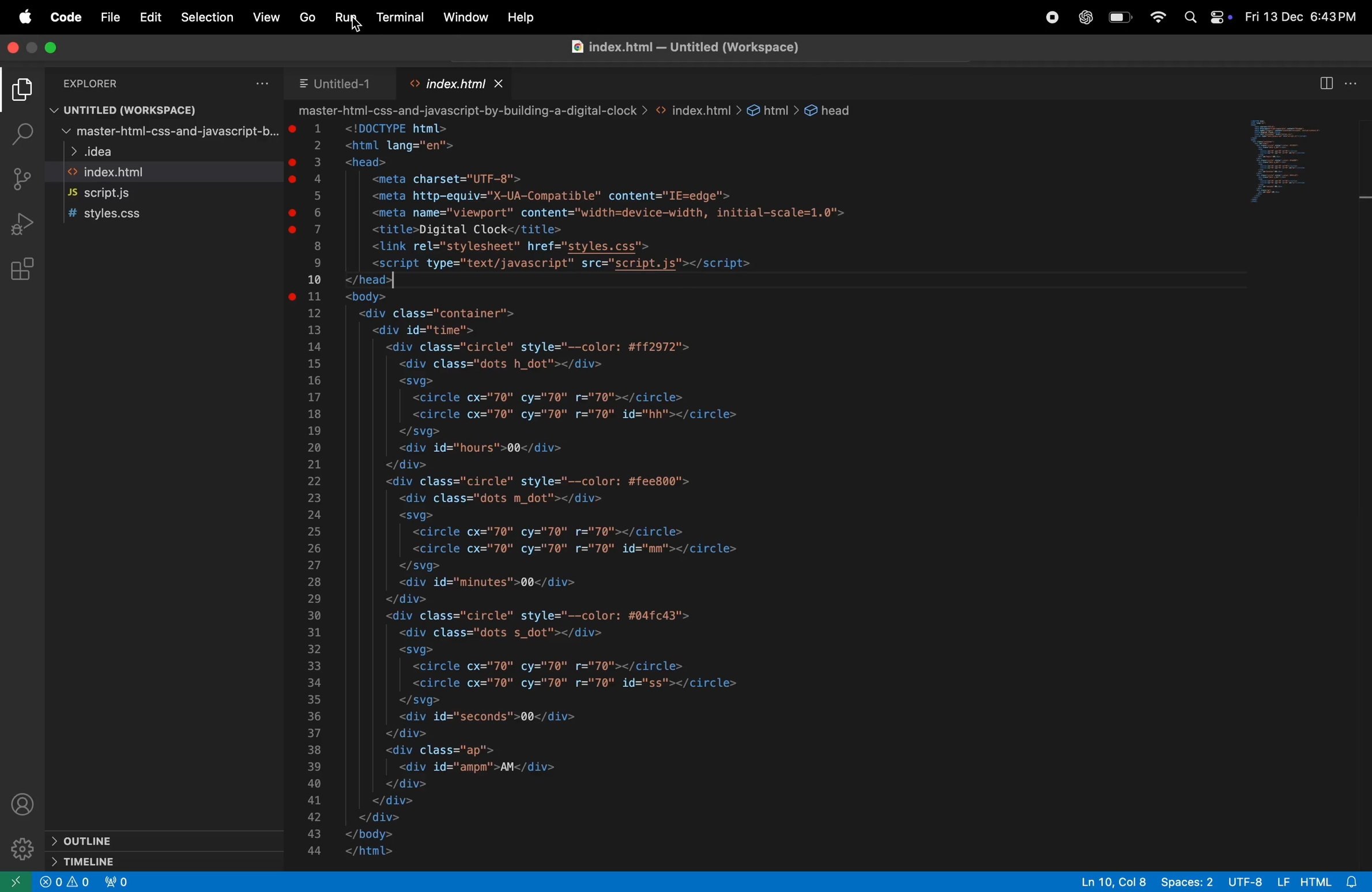 This screenshot has width=1372, height=892. I want to click on window, so click(466, 17).